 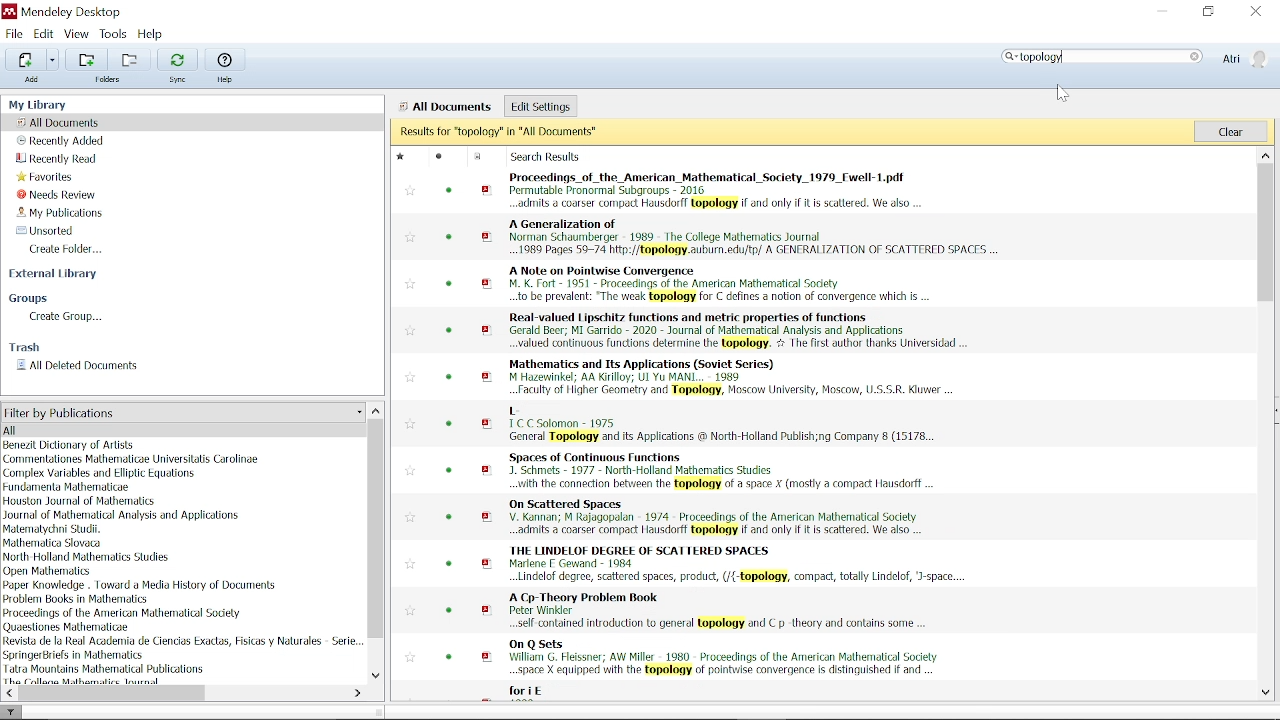 What do you see at coordinates (183, 640) in the screenshot?
I see `author` at bounding box center [183, 640].